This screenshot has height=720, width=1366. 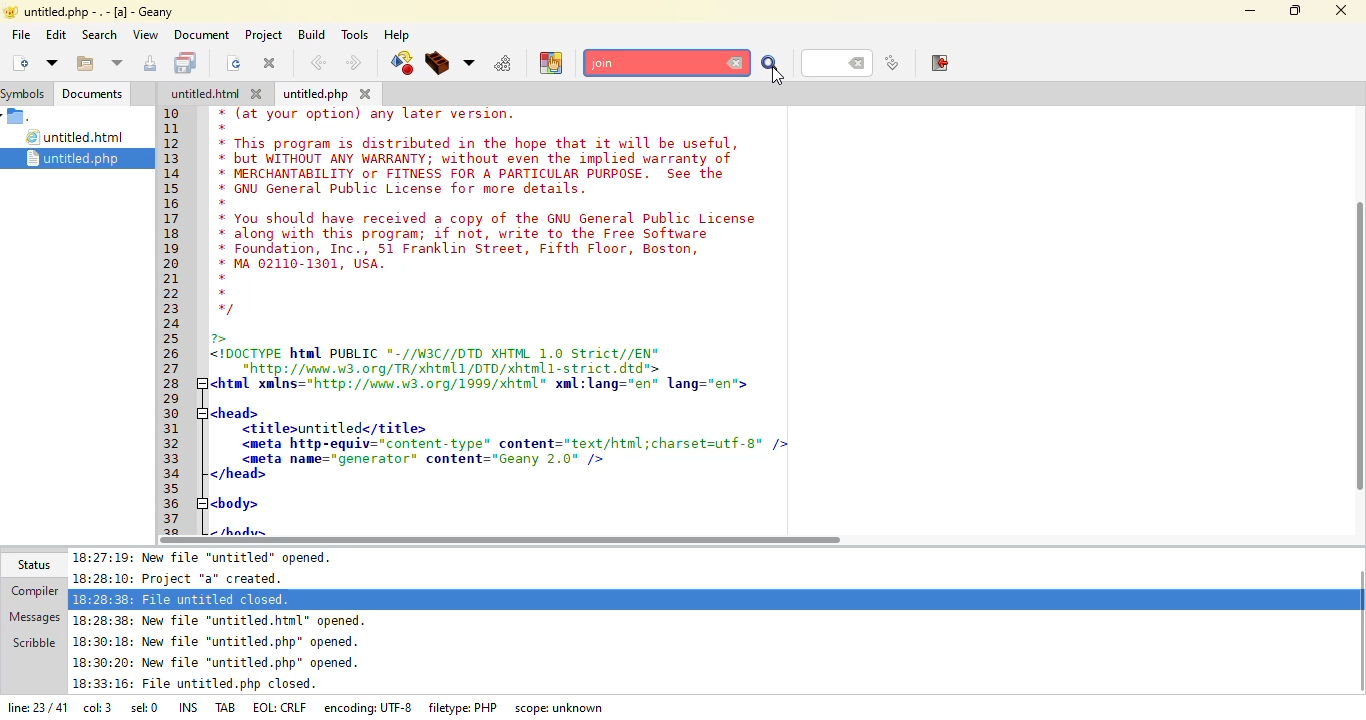 What do you see at coordinates (84, 64) in the screenshot?
I see `open existing` at bounding box center [84, 64].